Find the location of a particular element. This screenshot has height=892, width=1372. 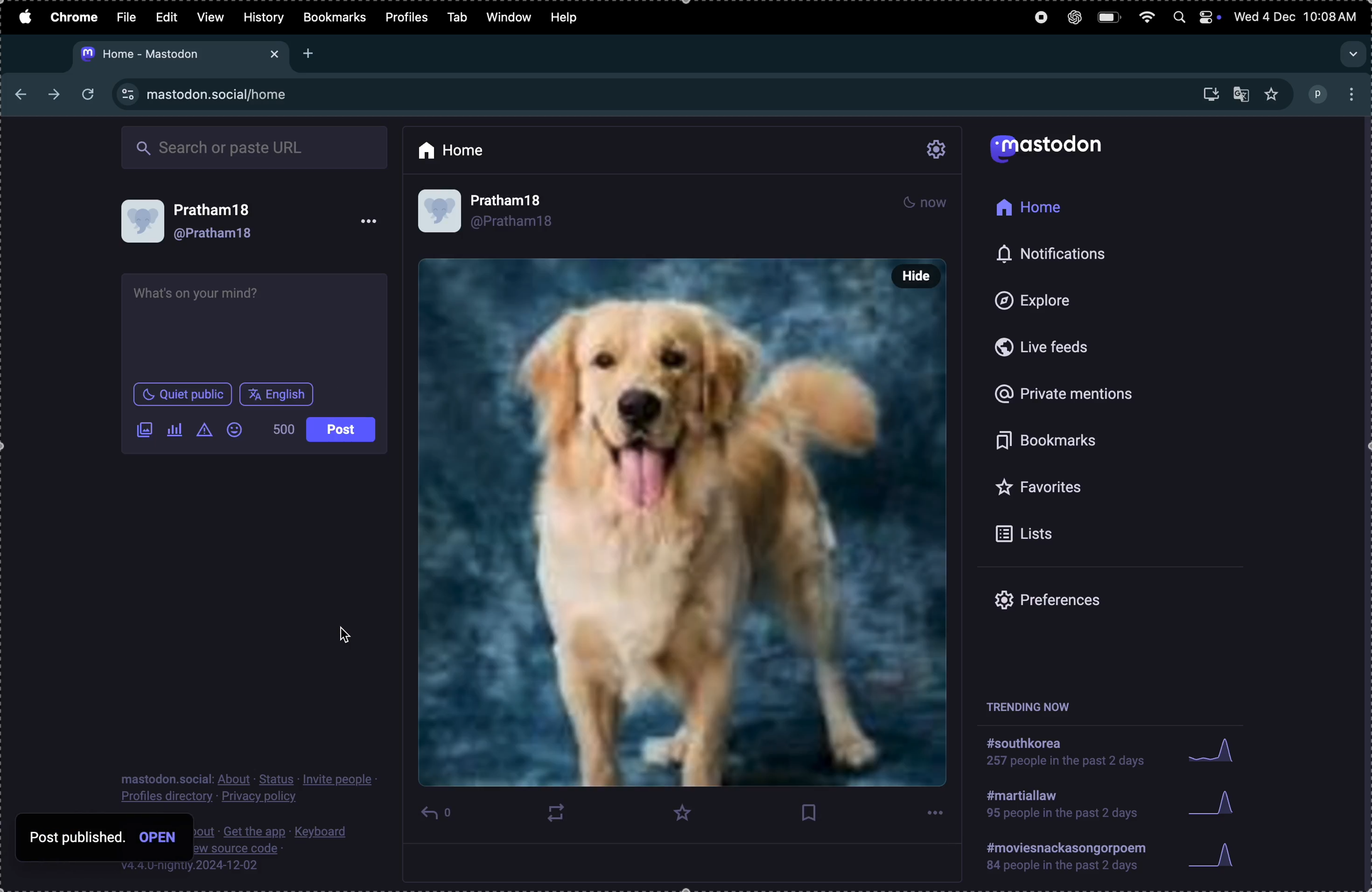

textbox is located at coordinates (255, 329).